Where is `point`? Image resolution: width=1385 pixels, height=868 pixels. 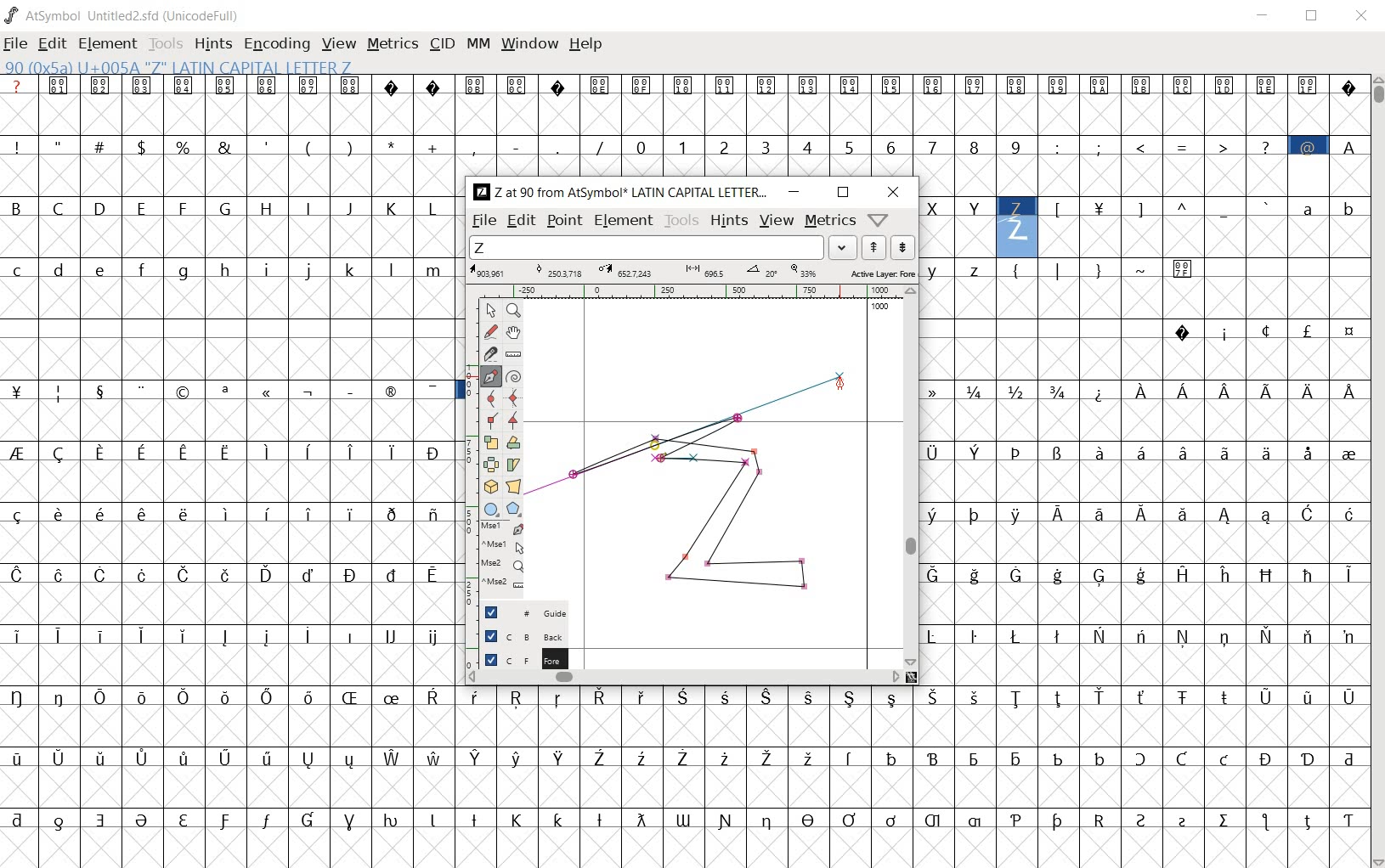 point is located at coordinates (564, 222).